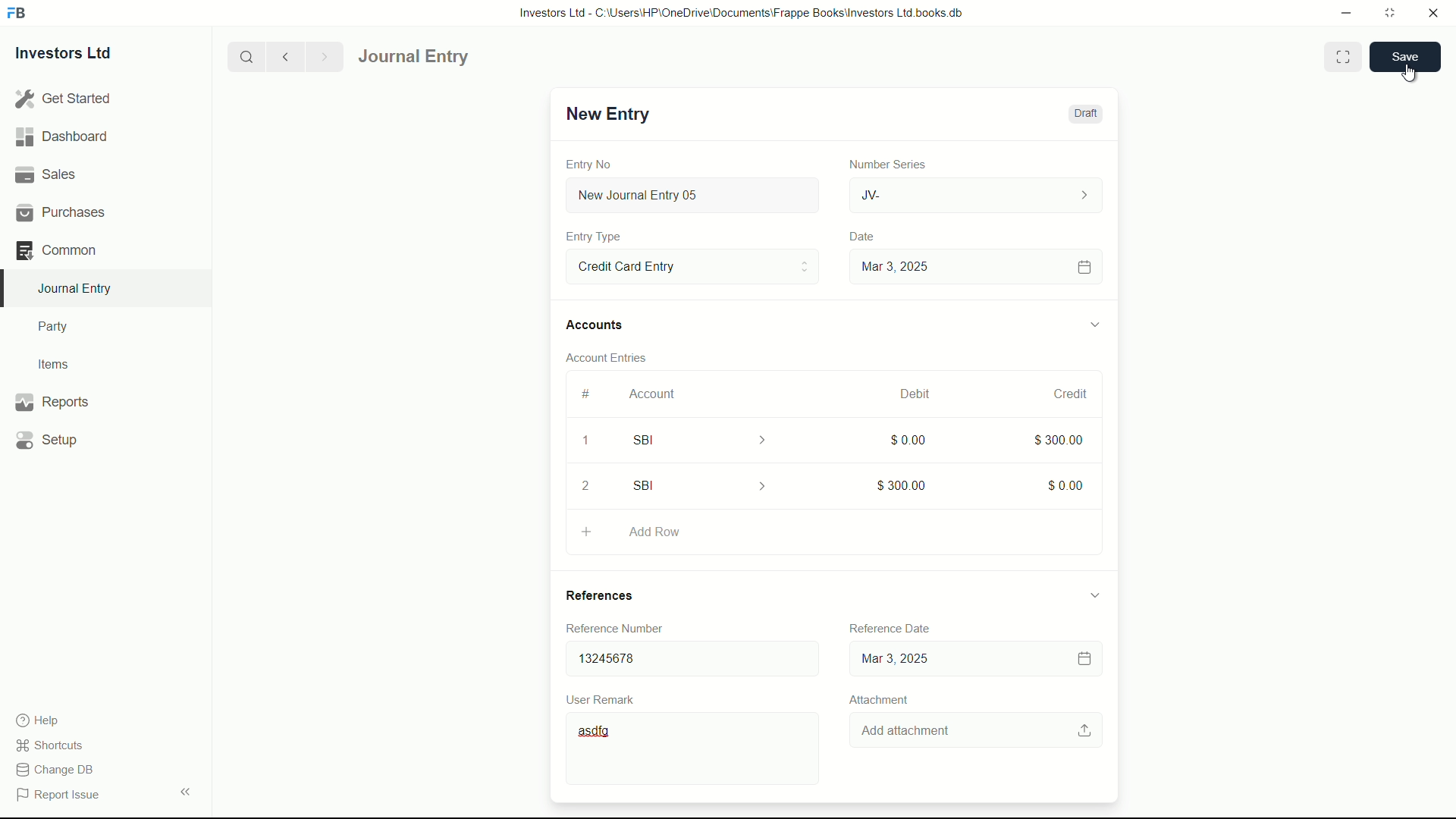 The image size is (1456, 819). Describe the element at coordinates (457, 57) in the screenshot. I see `journal entry` at that location.